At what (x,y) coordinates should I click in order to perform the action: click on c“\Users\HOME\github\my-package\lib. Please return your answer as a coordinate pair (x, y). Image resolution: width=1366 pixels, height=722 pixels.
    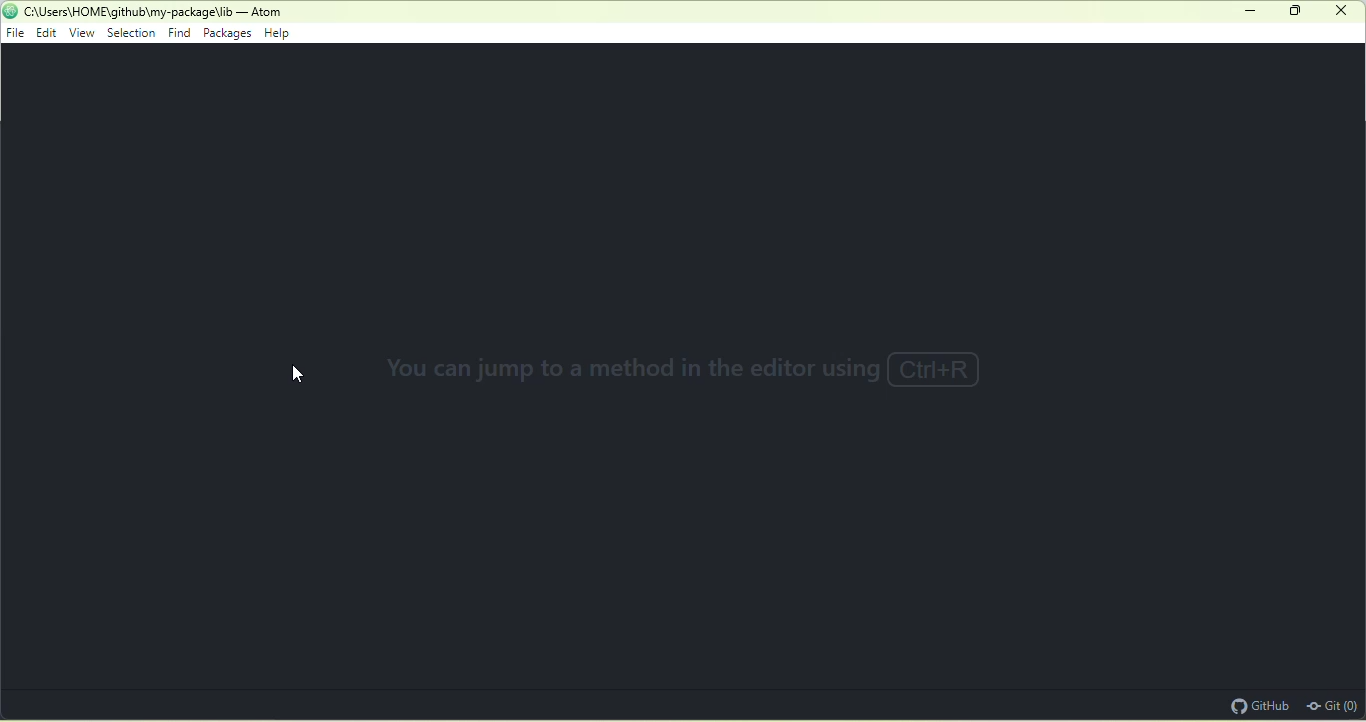
    Looking at the image, I should click on (129, 12).